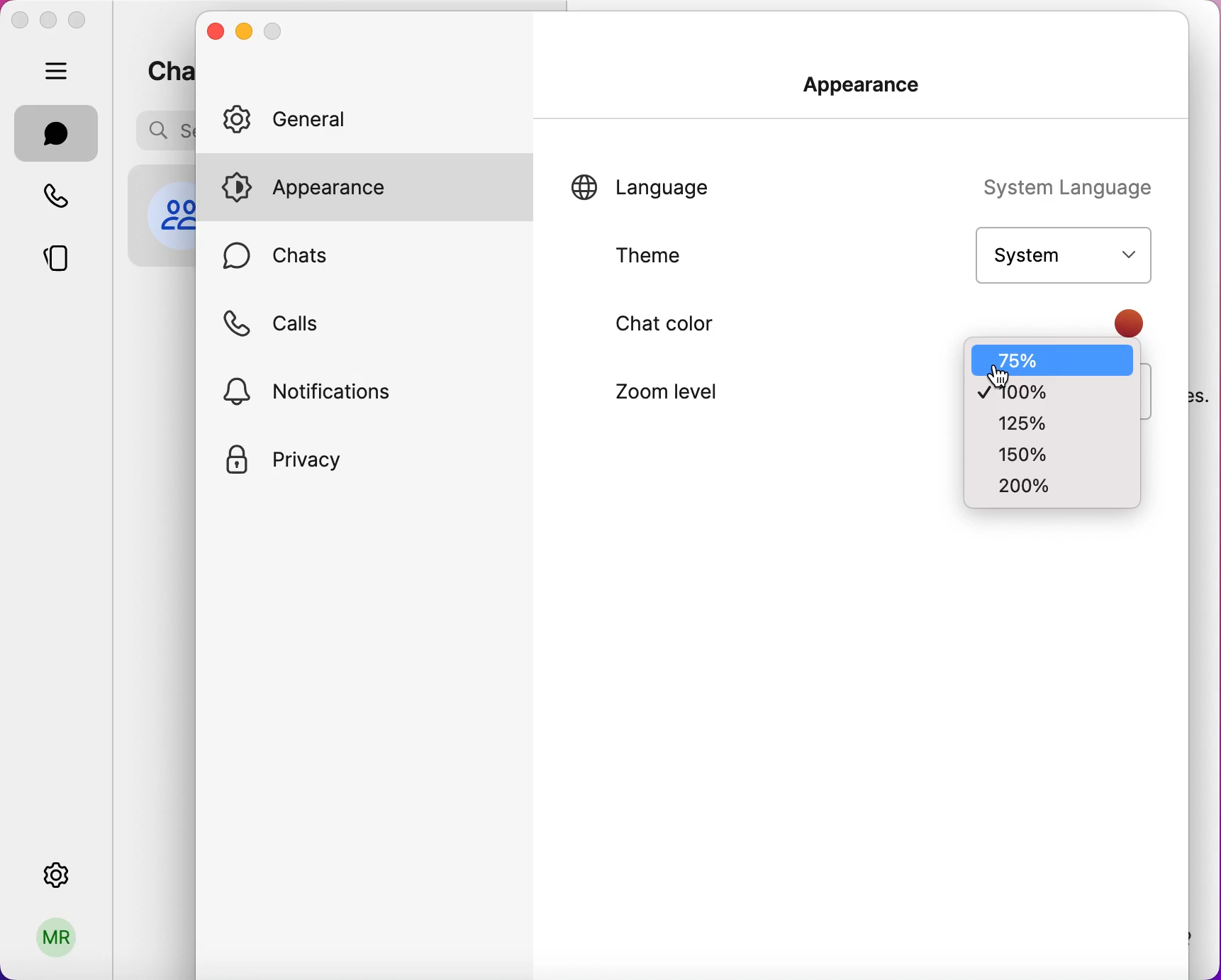  What do you see at coordinates (679, 328) in the screenshot?
I see `chat color` at bounding box center [679, 328].